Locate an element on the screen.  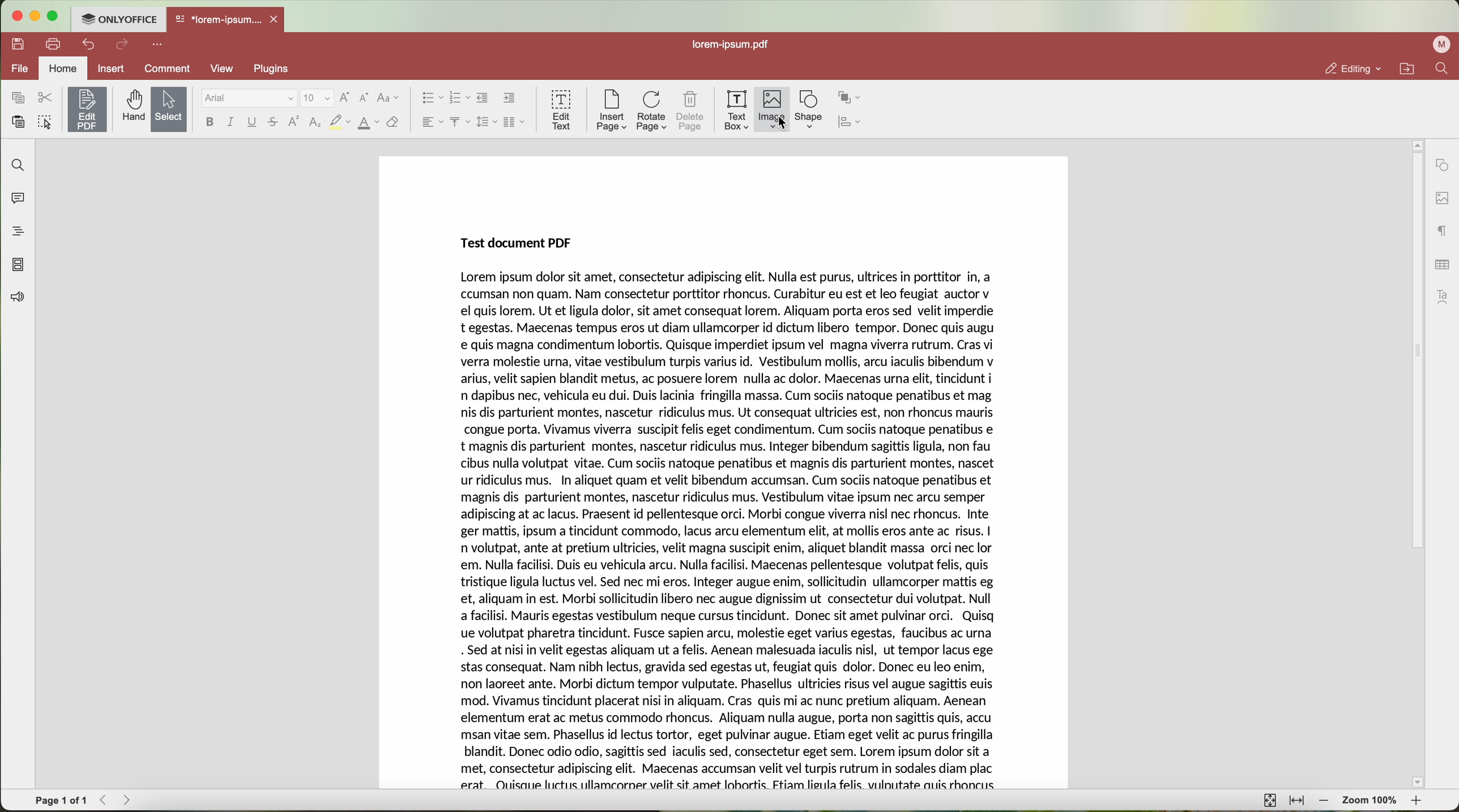
text box is located at coordinates (737, 110).